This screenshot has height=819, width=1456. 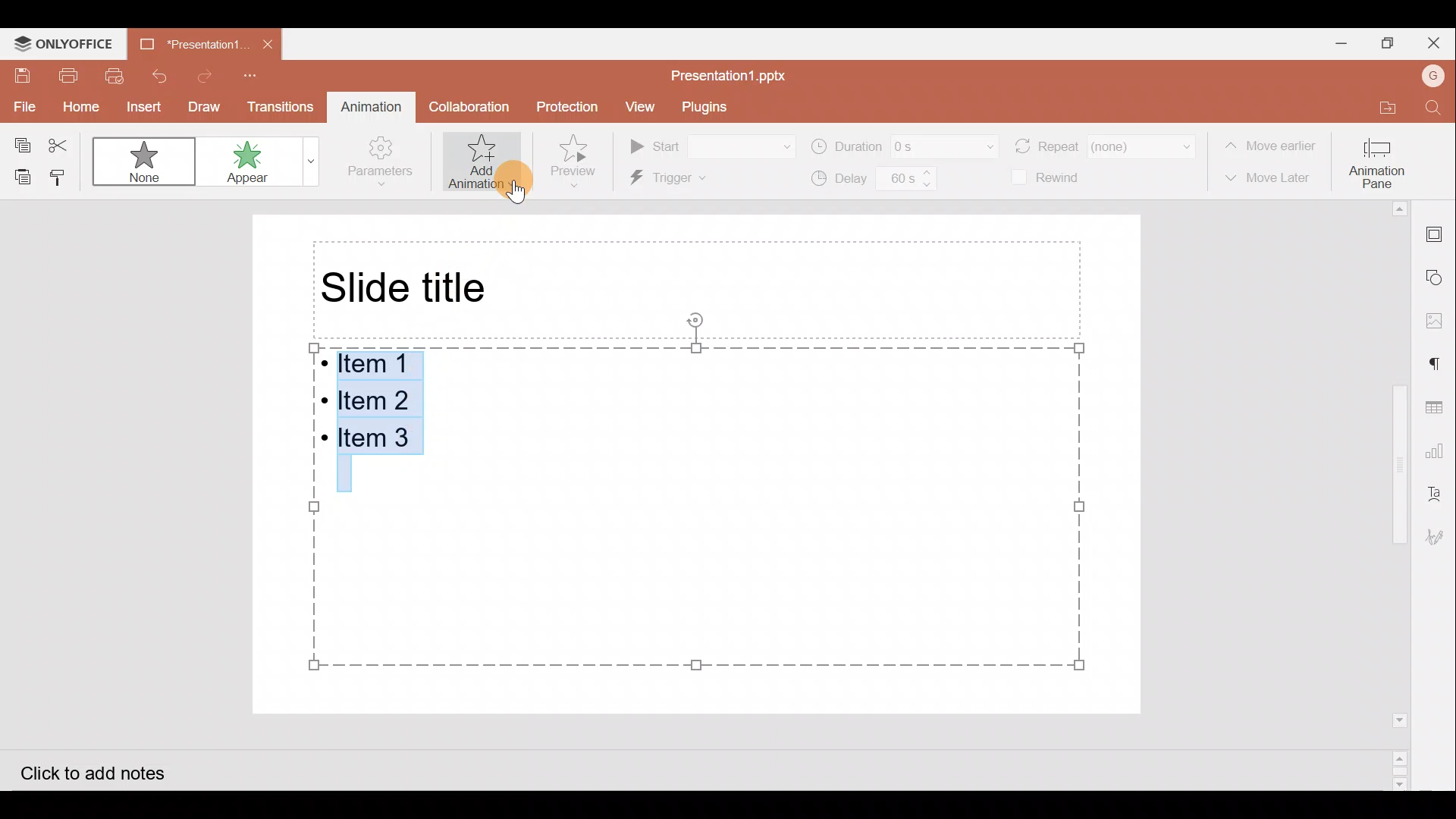 I want to click on Parameters, so click(x=385, y=162).